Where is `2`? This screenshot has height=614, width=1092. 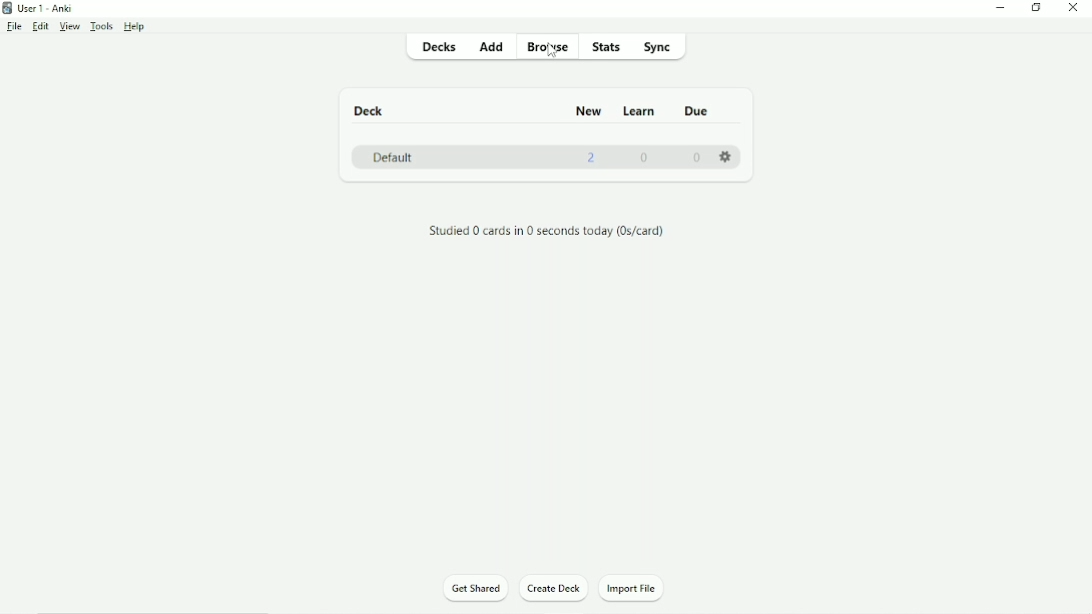 2 is located at coordinates (592, 159).